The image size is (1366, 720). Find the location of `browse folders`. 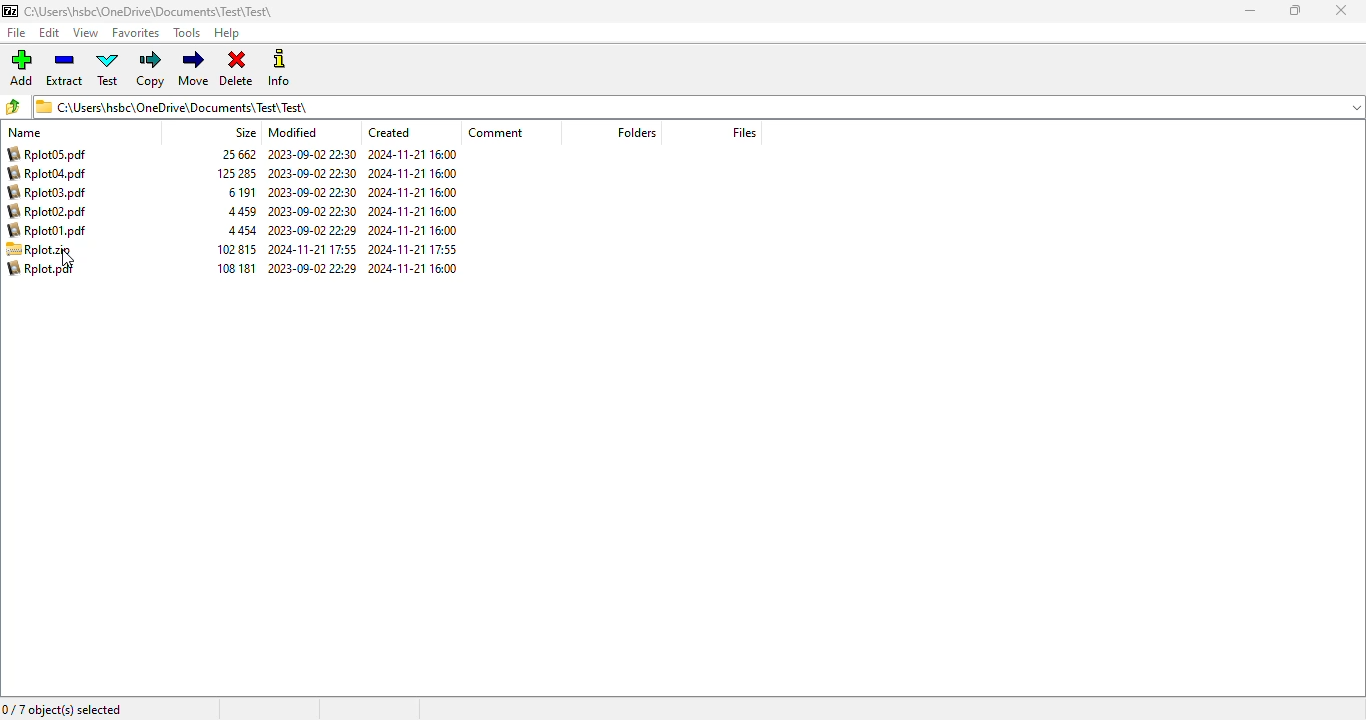

browse folders is located at coordinates (12, 106).